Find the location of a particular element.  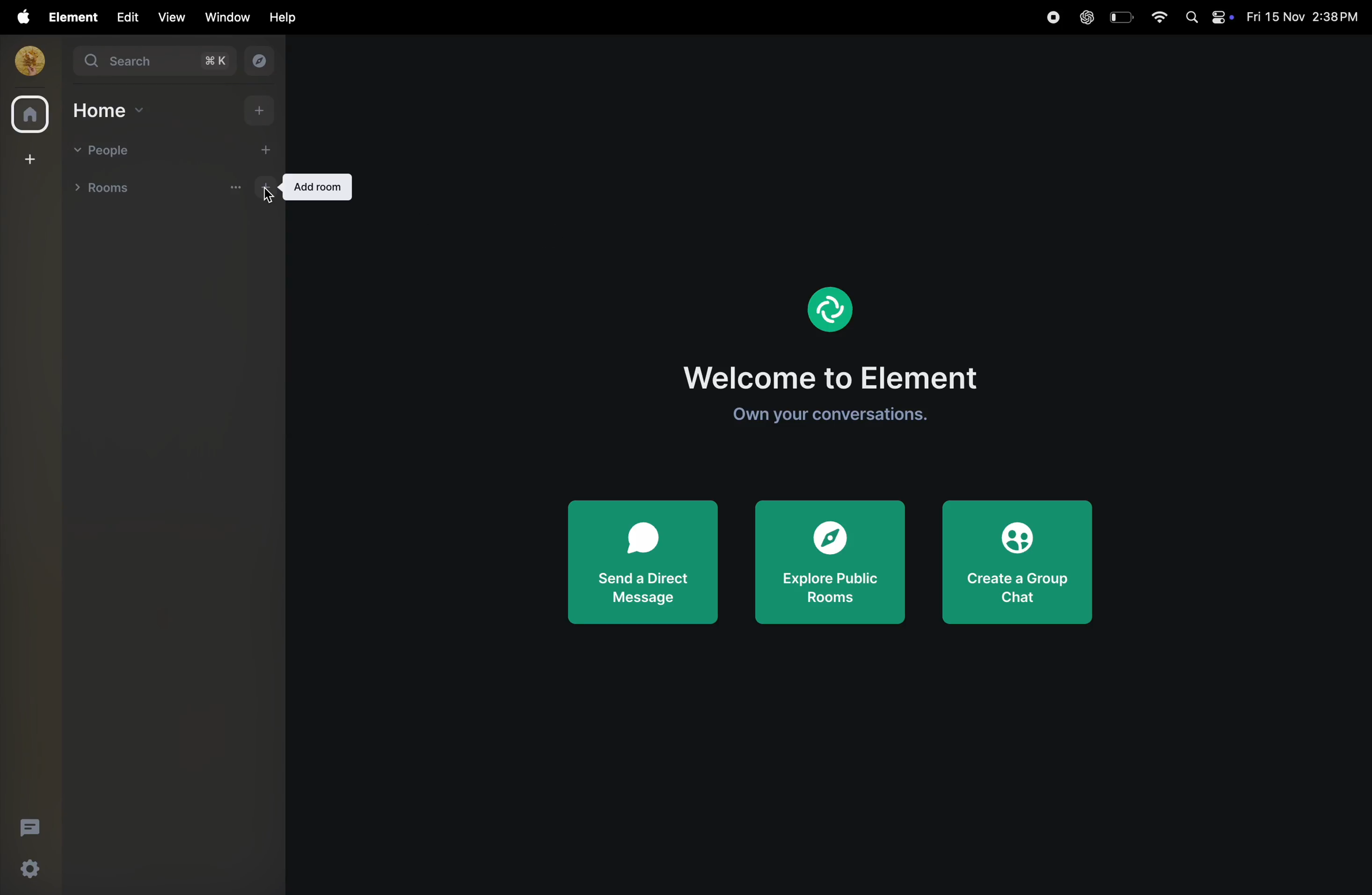

battery is located at coordinates (1120, 17).